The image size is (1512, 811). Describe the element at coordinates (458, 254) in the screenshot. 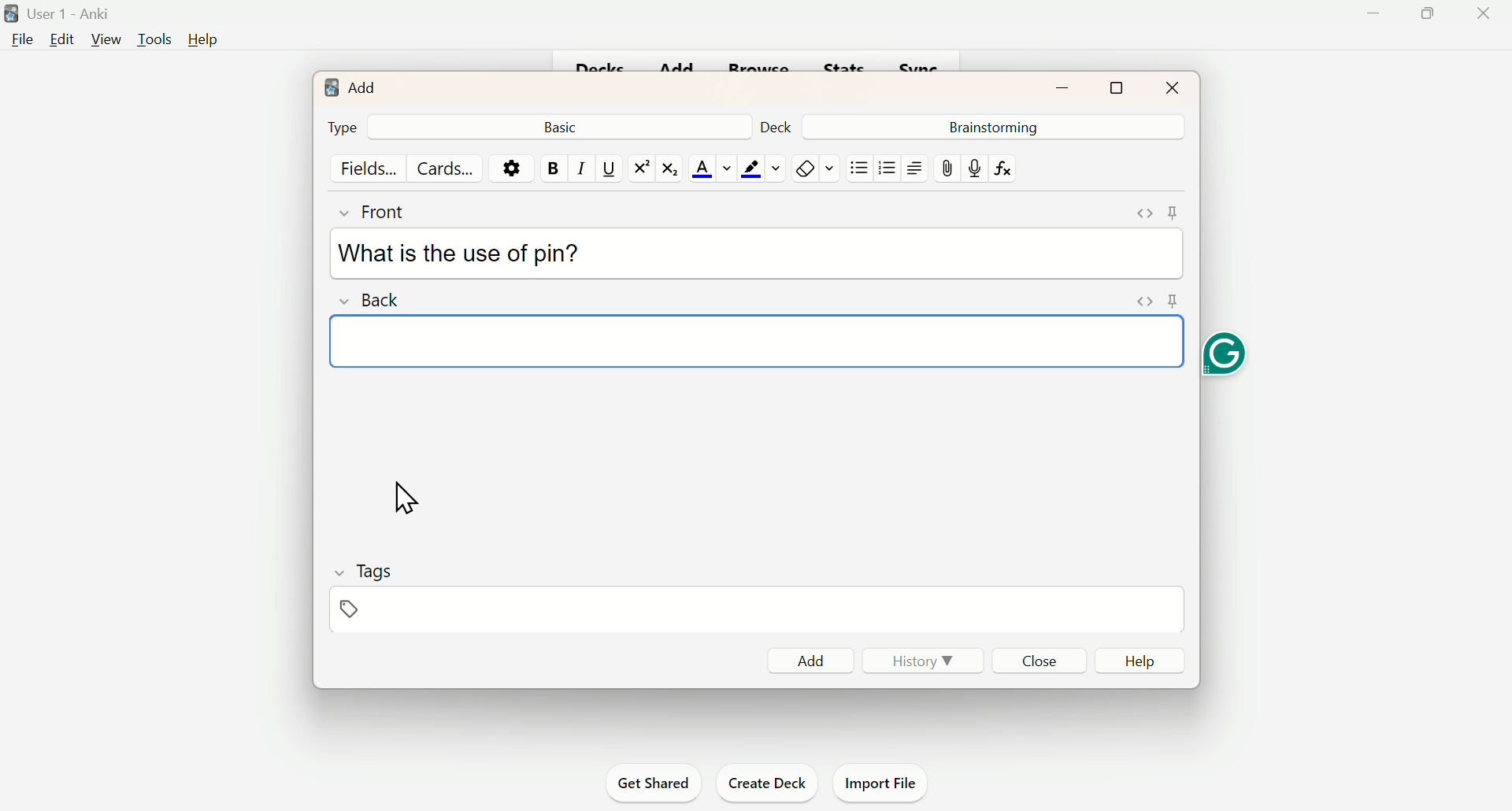

I see `What is the use of pin?` at that location.